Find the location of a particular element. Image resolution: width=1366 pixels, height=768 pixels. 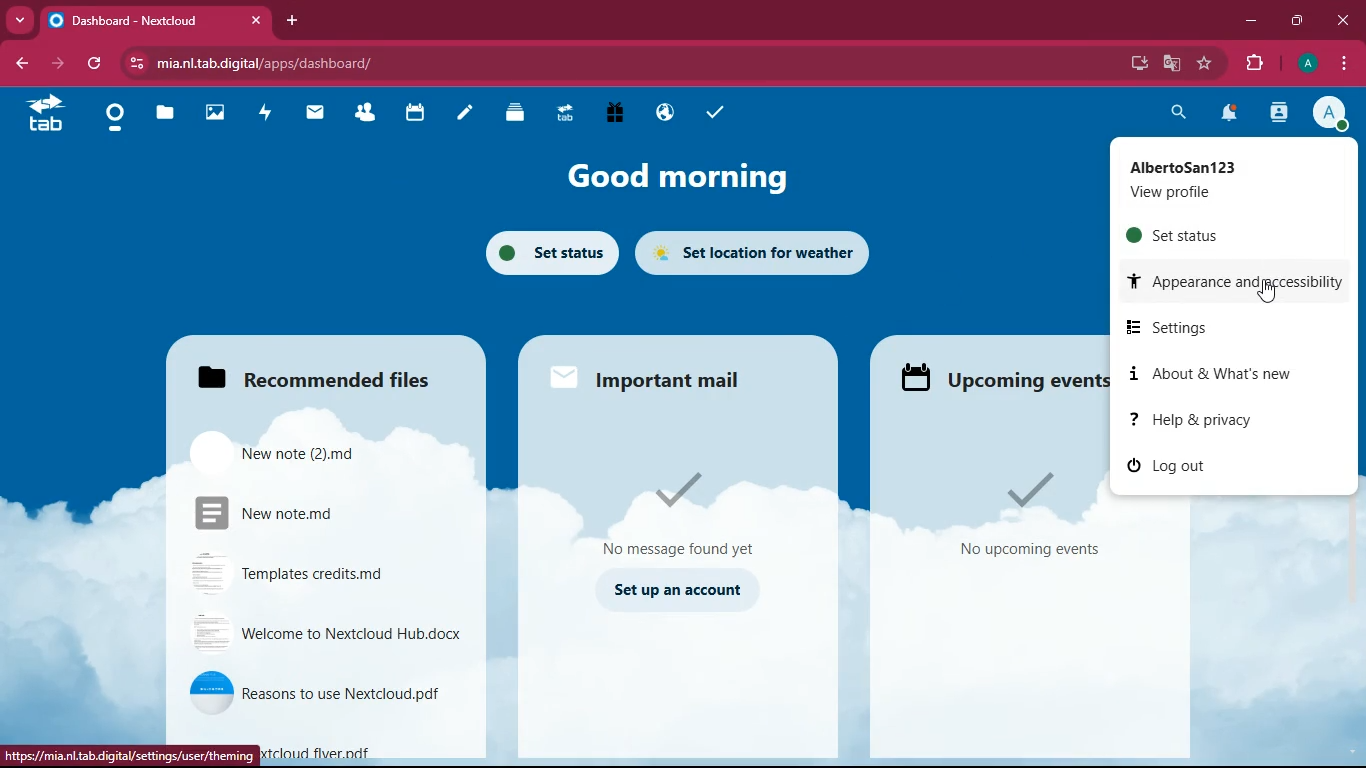

minimize is located at coordinates (1246, 21).